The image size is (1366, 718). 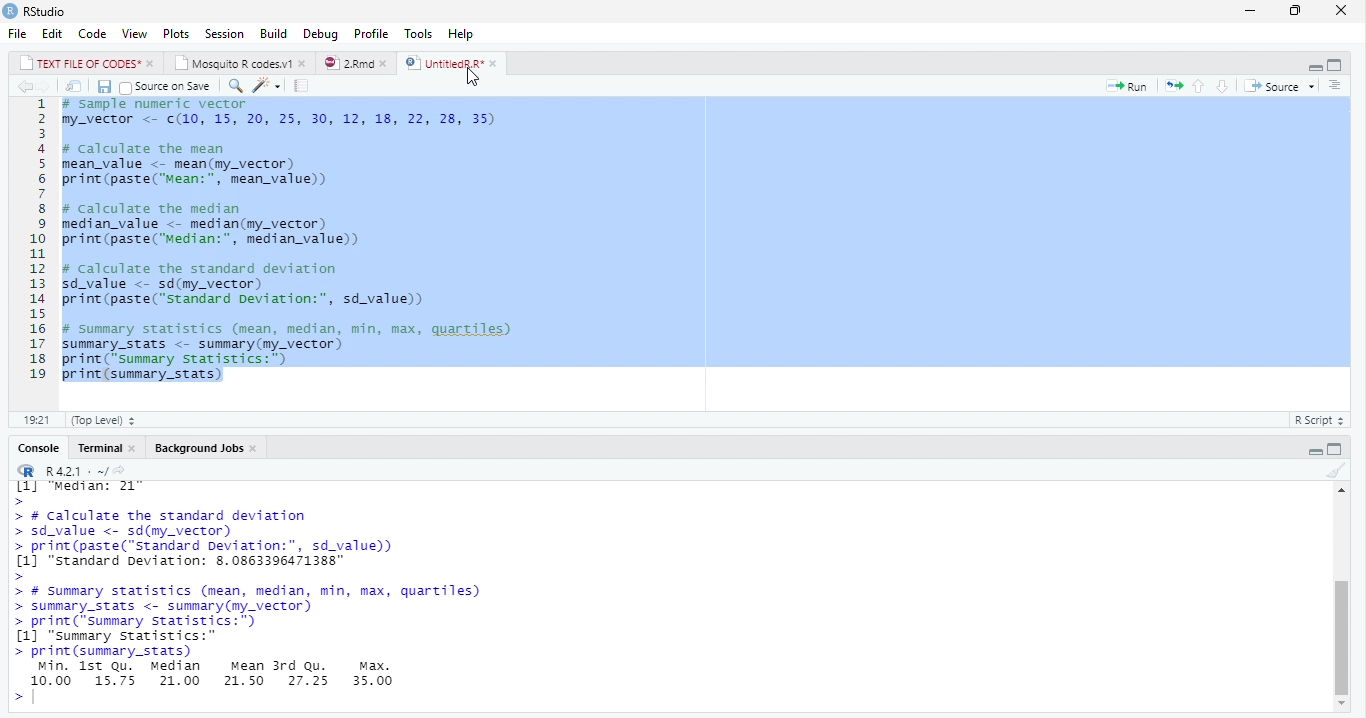 I want to click on Background Jobs, so click(x=199, y=448).